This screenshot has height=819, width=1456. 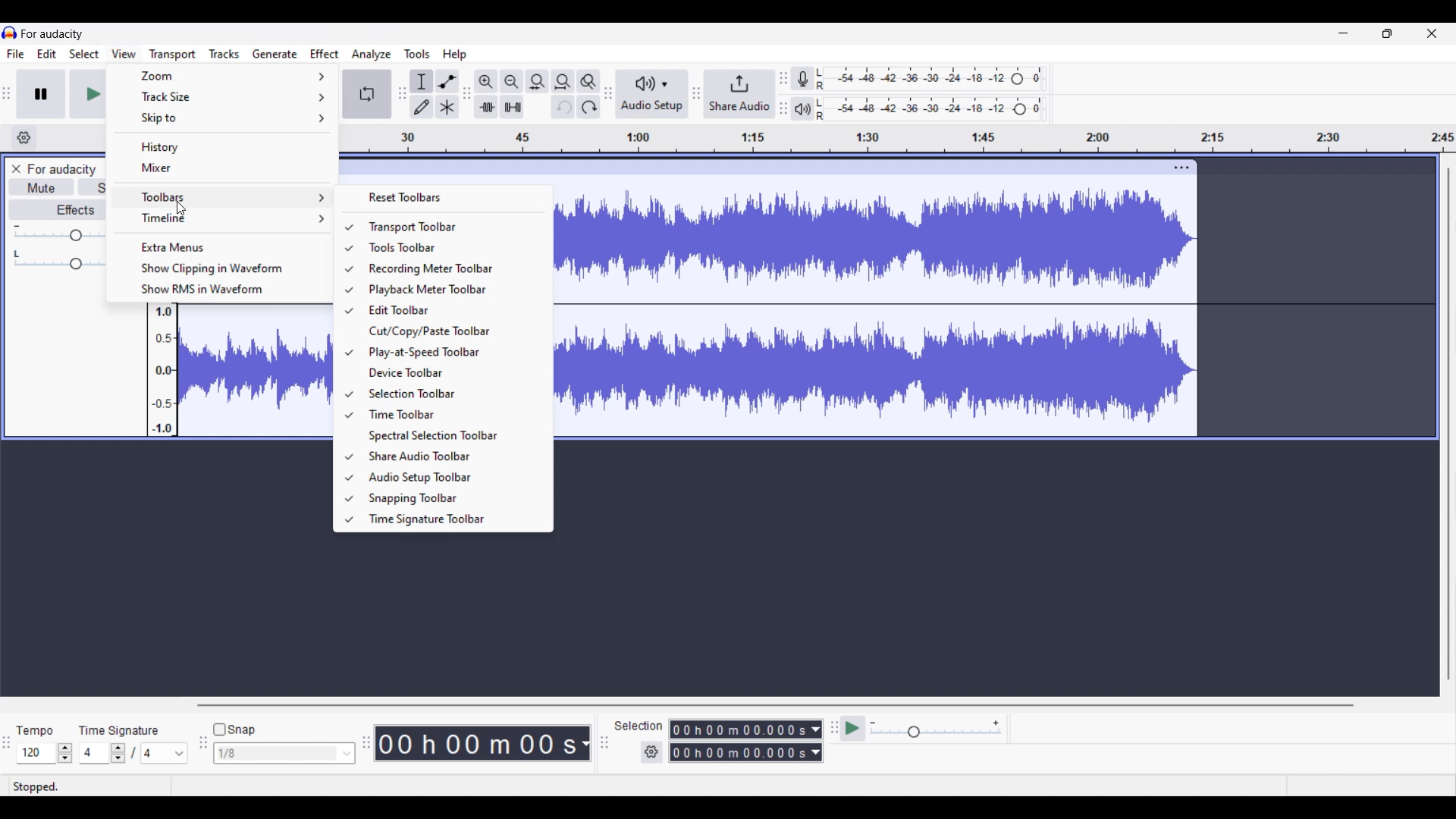 What do you see at coordinates (221, 196) in the screenshot?
I see `Toolbars options` at bounding box center [221, 196].